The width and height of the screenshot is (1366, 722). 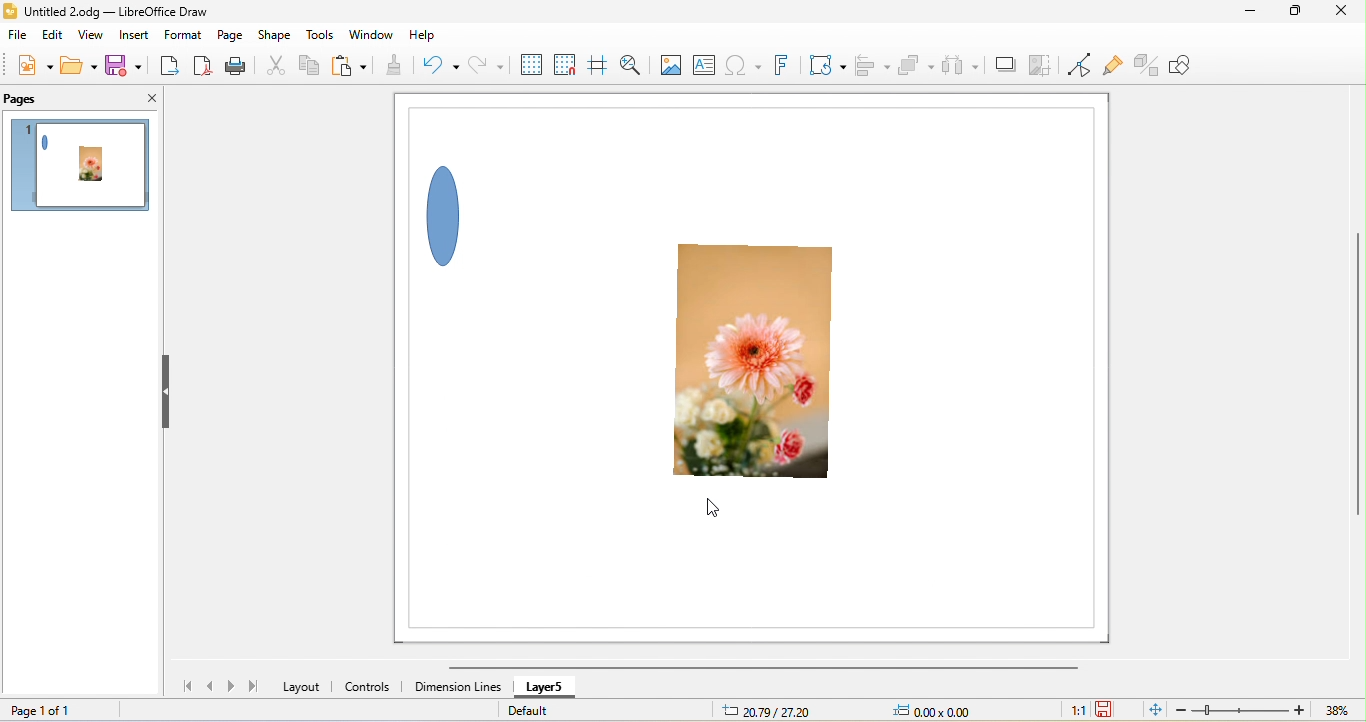 I want to click on hide, so click(x=168, y=393).